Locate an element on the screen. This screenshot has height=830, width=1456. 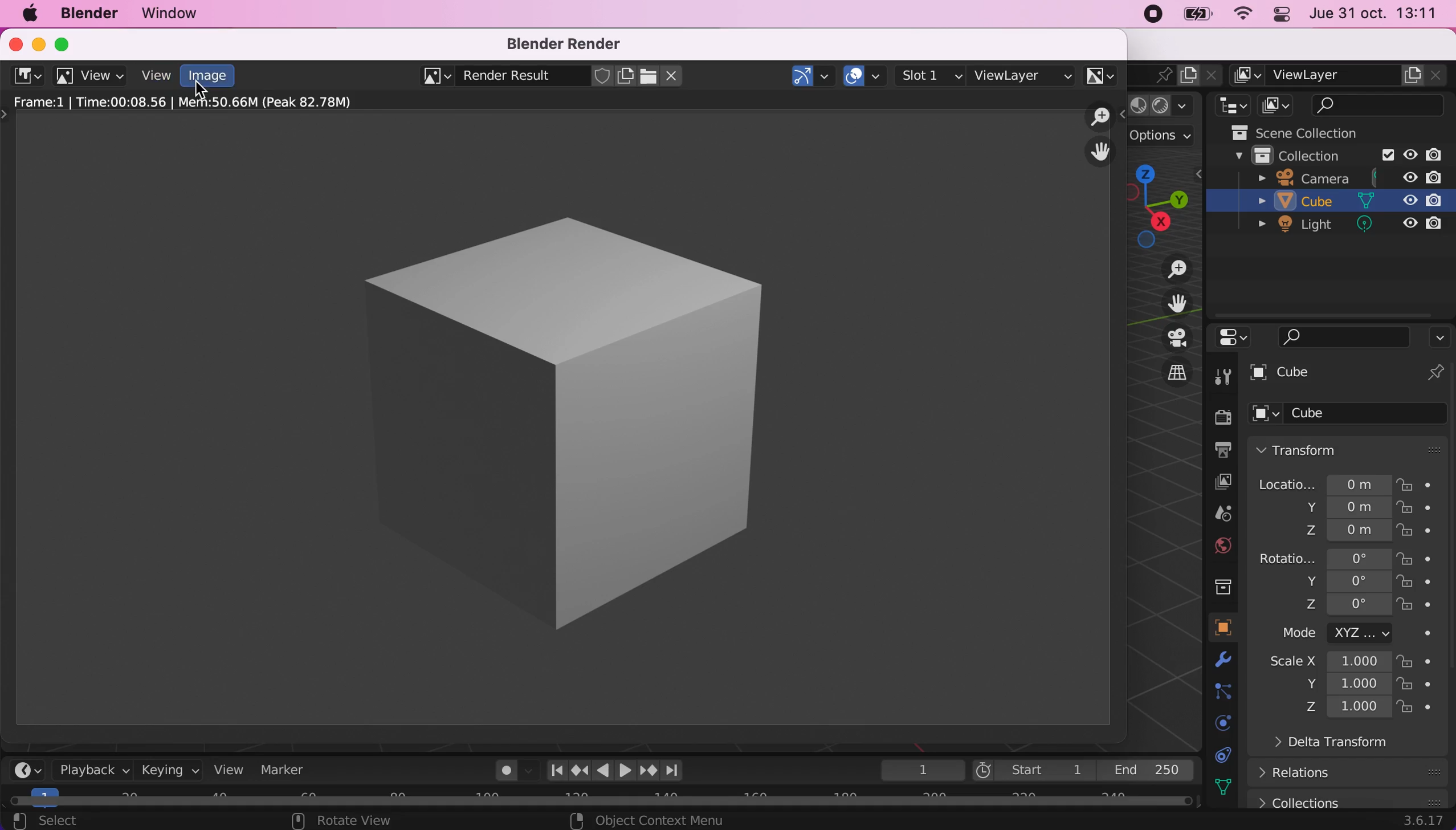
frame 1 | time 00:08.56 | merk 50.66 (peak 82.78m) is located at coordinates (195, 103).